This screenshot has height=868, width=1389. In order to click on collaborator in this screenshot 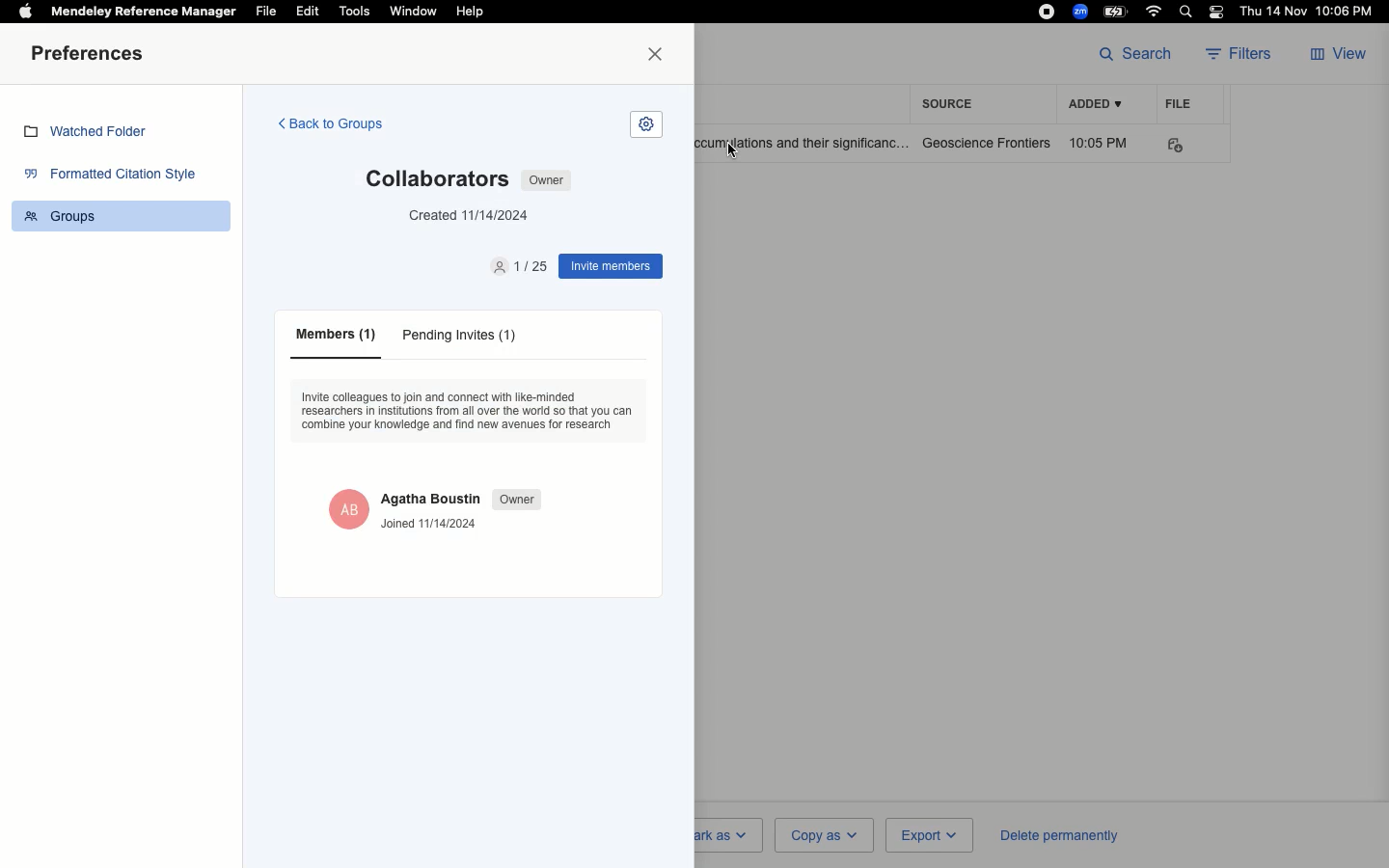, I will do `click(437, 179)`.